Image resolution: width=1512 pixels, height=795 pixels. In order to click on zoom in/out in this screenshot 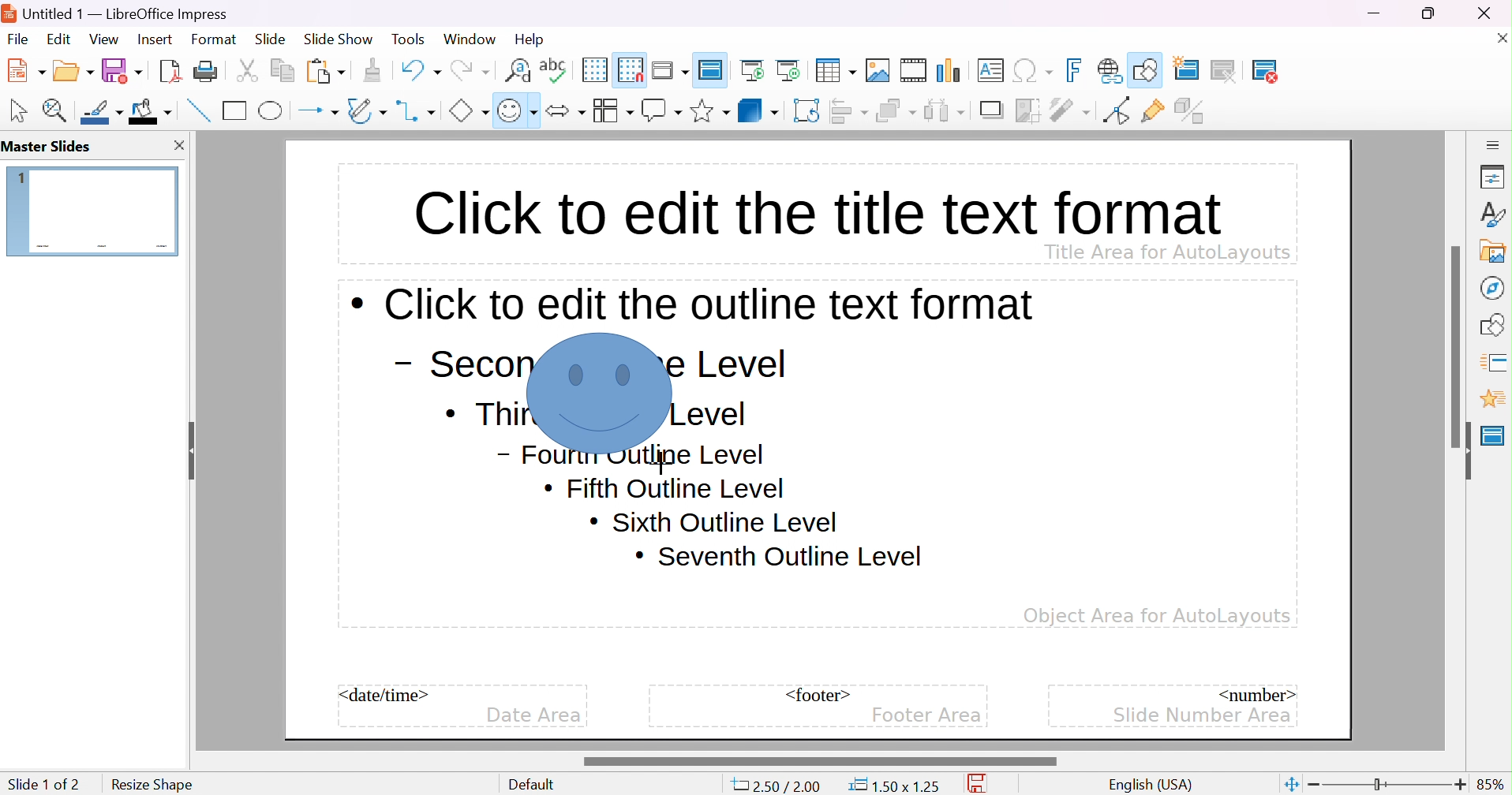, I will do `click(1387, 785)`.